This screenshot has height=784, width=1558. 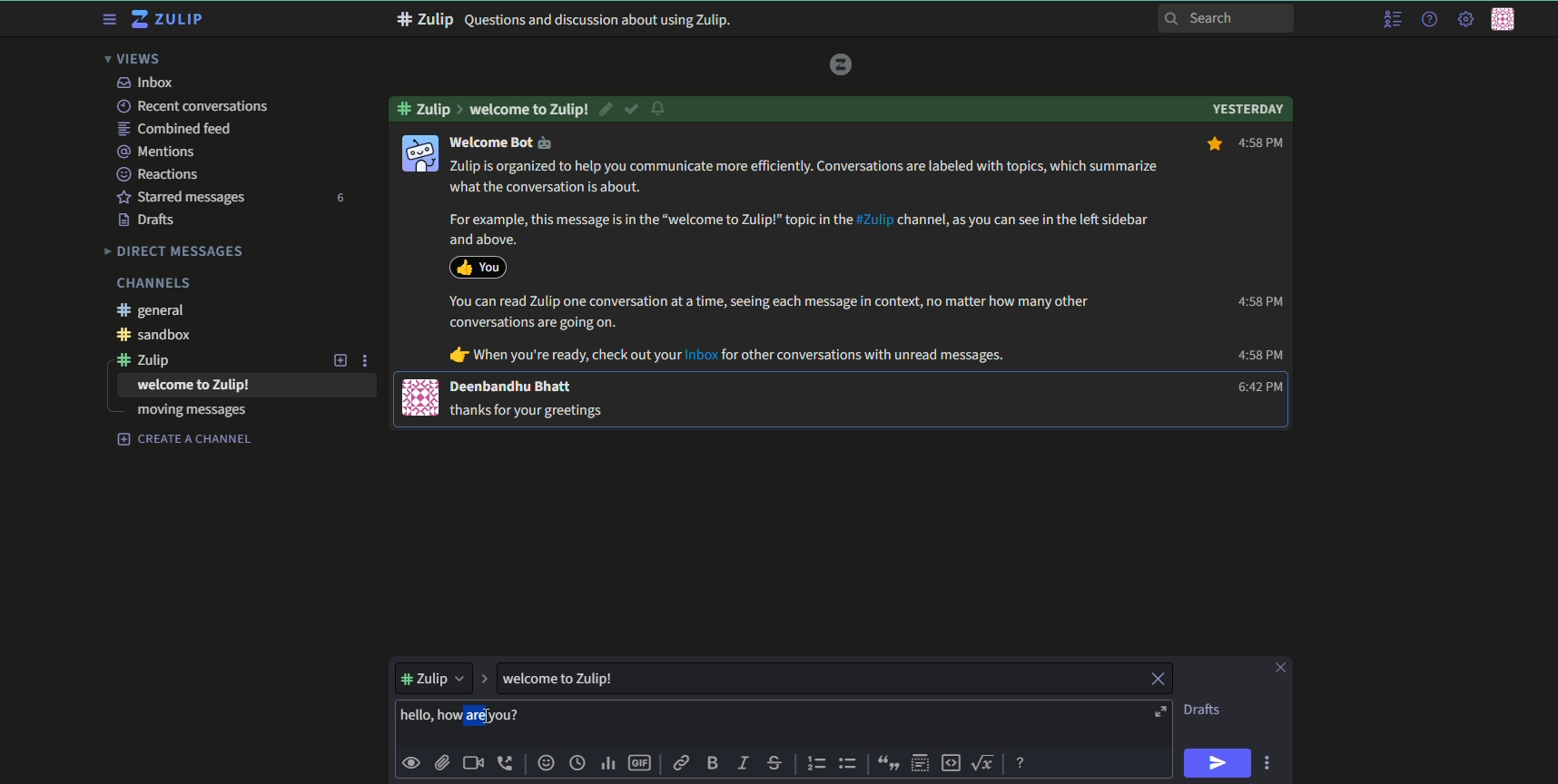 What do you see at coordinates (161, 336) in the screenshot?
I see `#sandbox` at bounding box center [161, 336].